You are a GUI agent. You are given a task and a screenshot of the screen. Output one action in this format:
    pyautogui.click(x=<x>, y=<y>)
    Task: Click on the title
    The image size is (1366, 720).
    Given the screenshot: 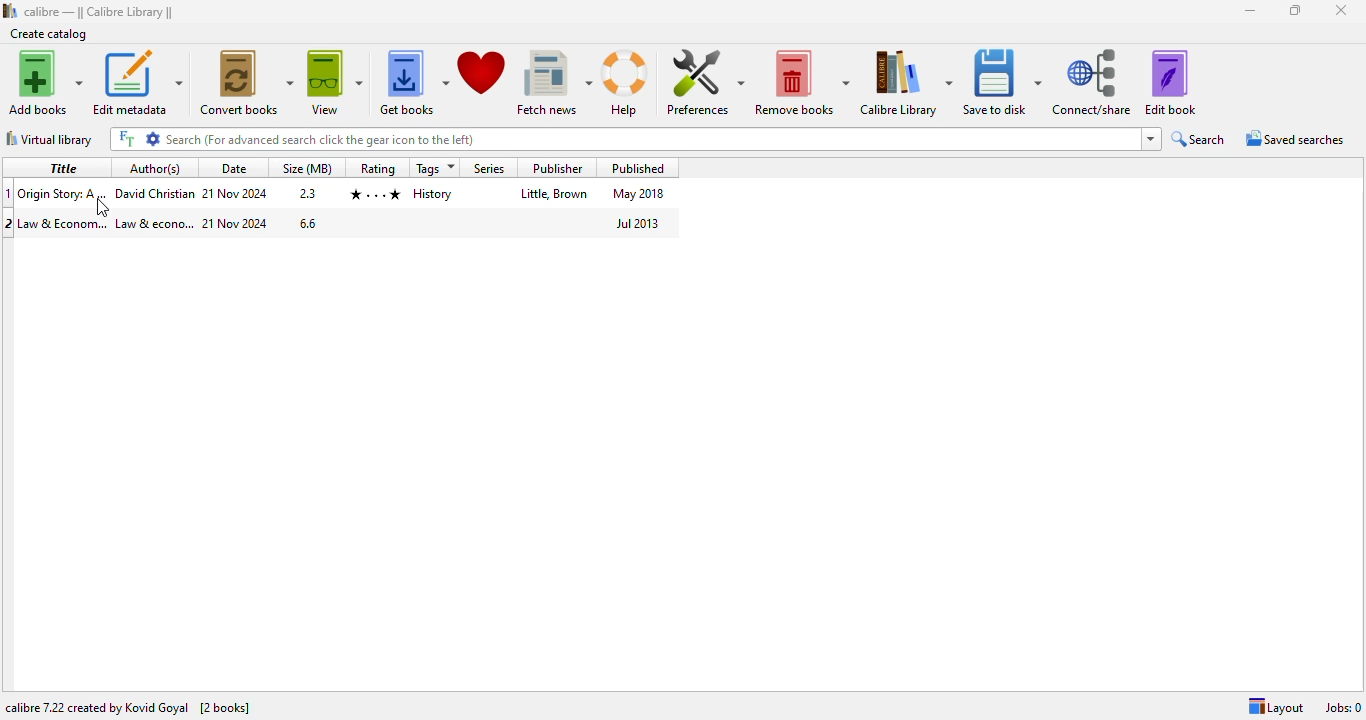 What is the action you would take?
    pyautogui.click(x=61, y=167)
    